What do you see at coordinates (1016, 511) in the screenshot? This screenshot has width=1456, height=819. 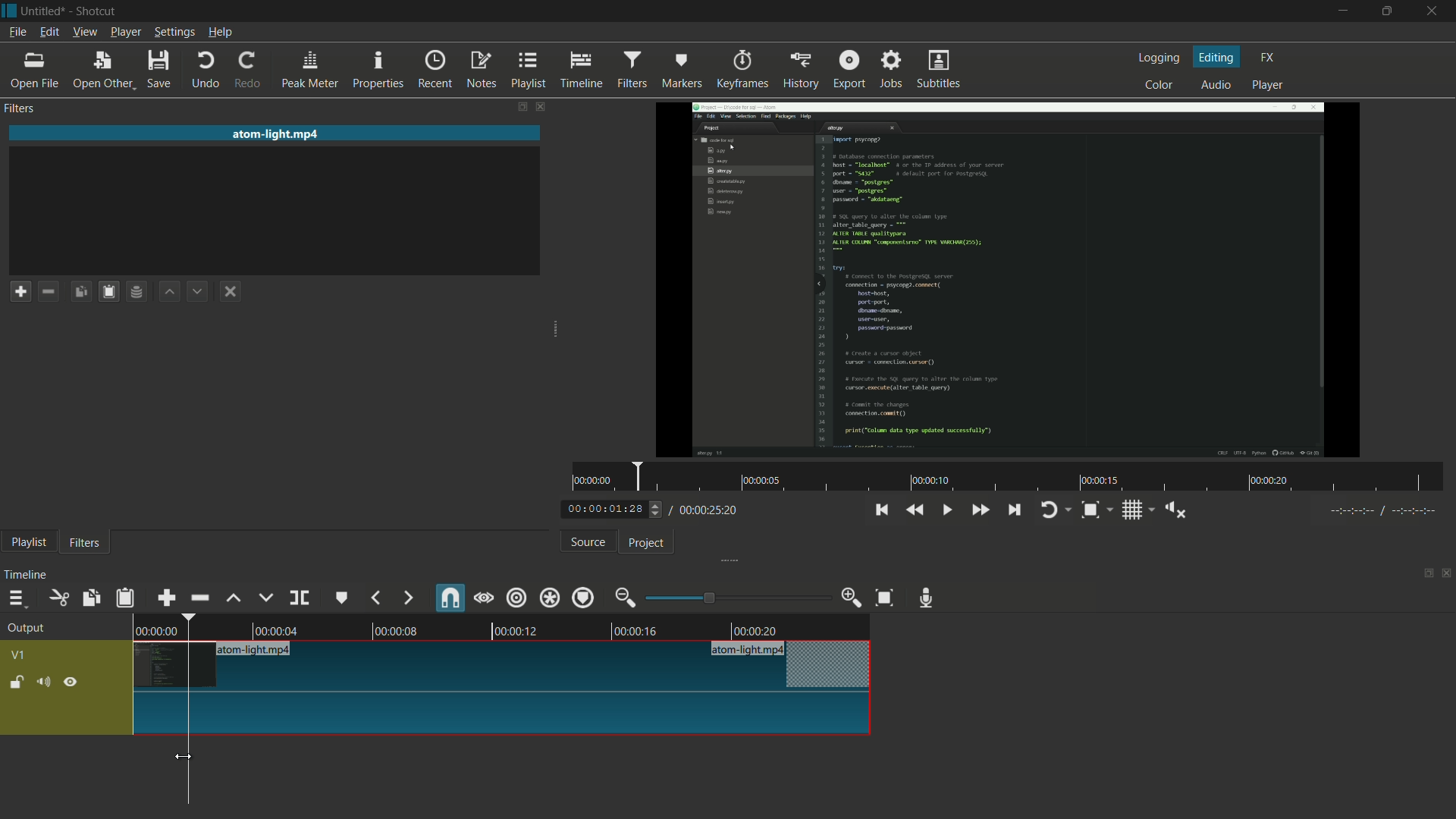 I see `skip to the next point` at bounding box center [1016, 511].